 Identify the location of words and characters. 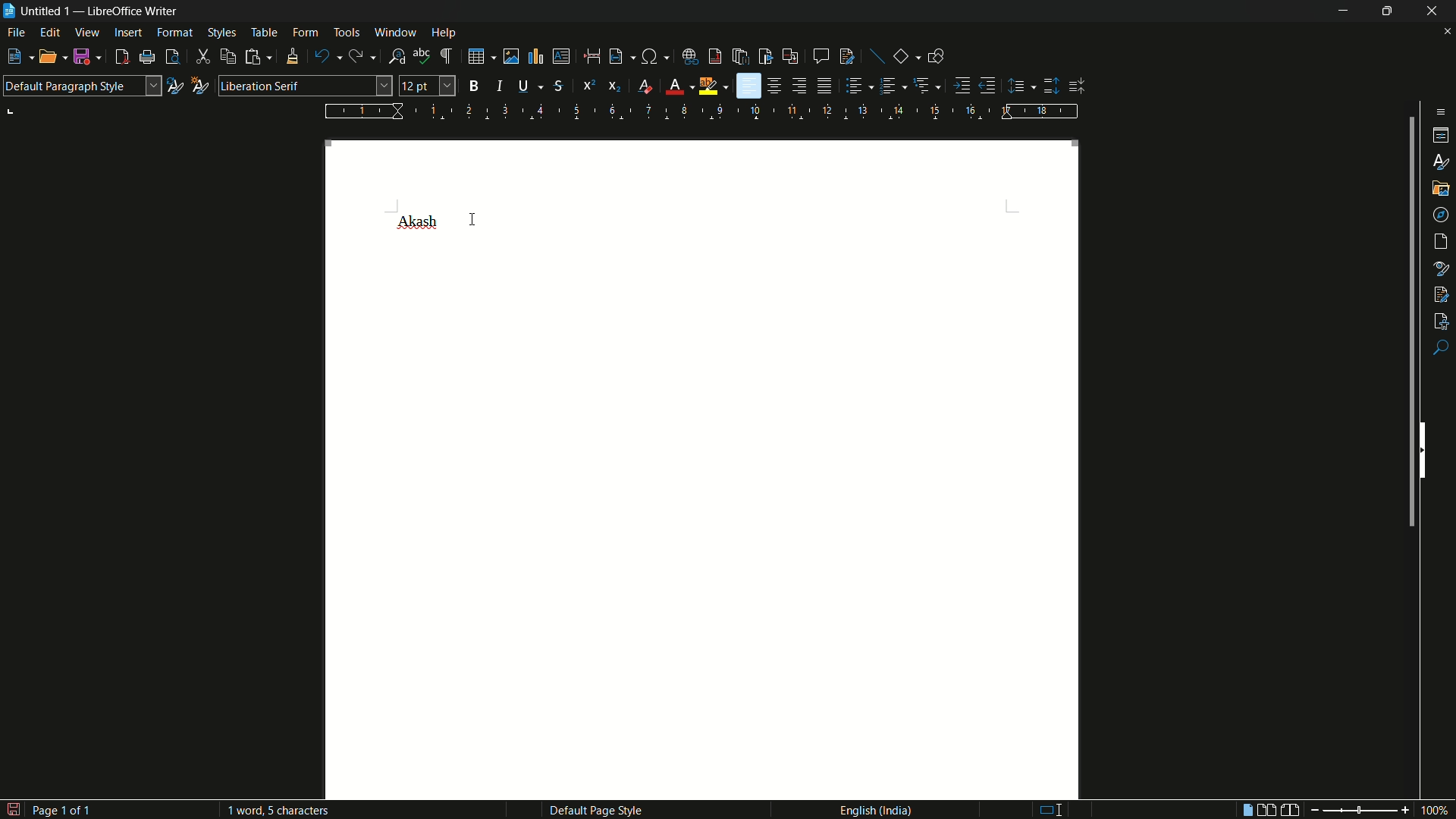
(280, 810).